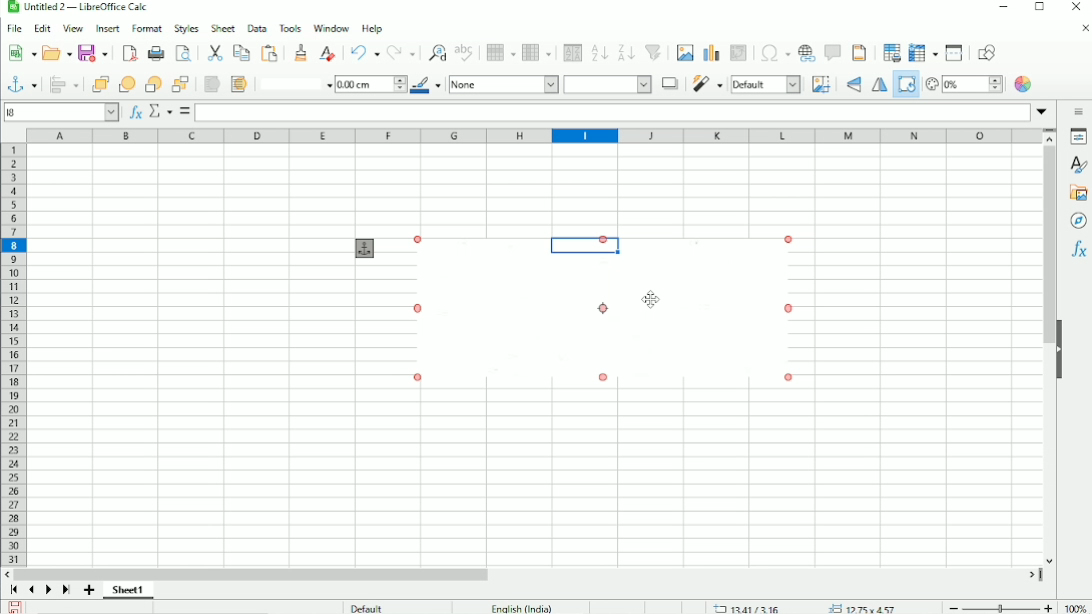  Describe the element at coordinates (125, 83) in the screenshot. I see `Forward one` at that location.